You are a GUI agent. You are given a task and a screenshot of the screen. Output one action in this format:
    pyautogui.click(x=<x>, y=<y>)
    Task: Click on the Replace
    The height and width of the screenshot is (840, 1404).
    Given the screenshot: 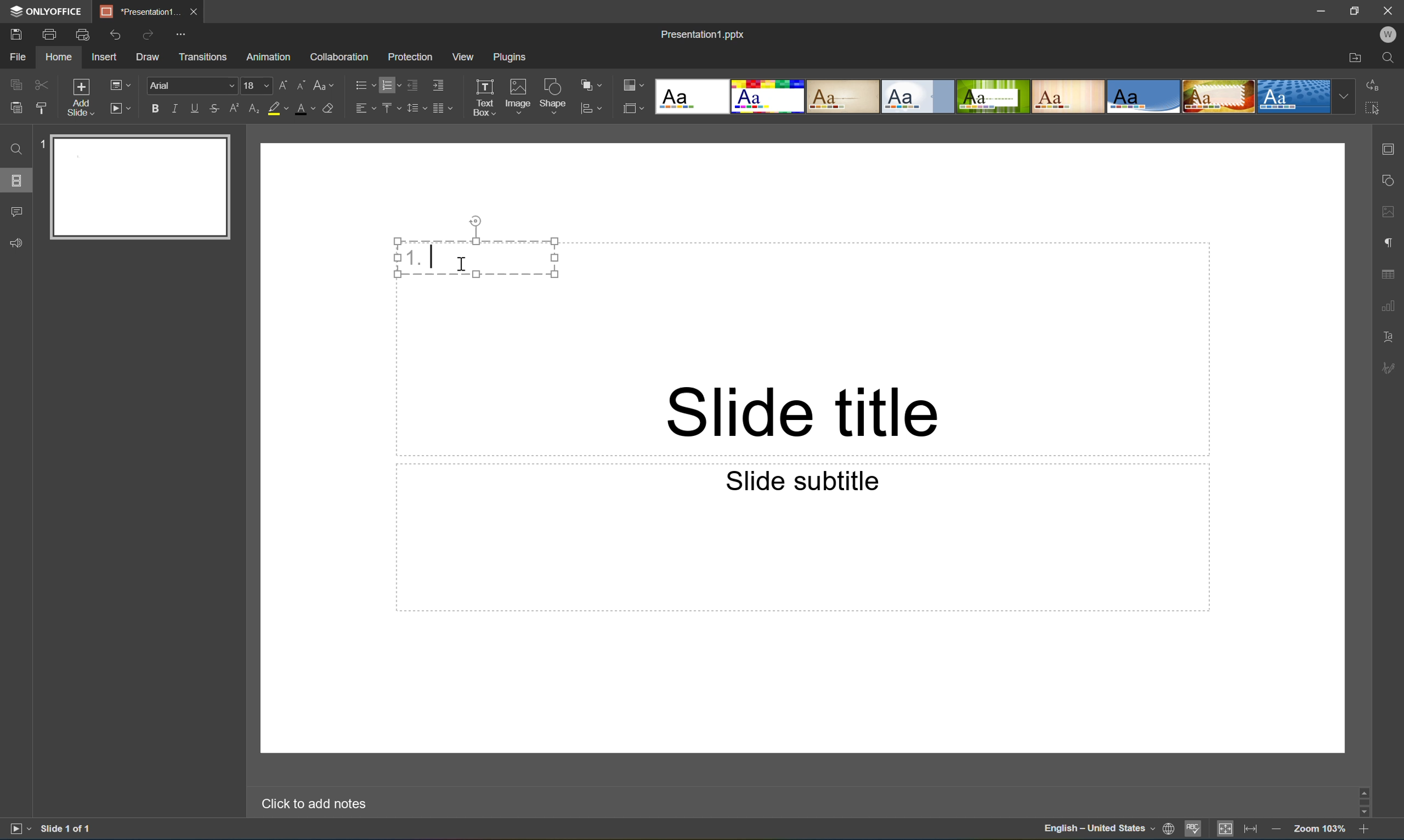 What is the action you would take?
    pyautogui.click(x=1375, y=84)
    